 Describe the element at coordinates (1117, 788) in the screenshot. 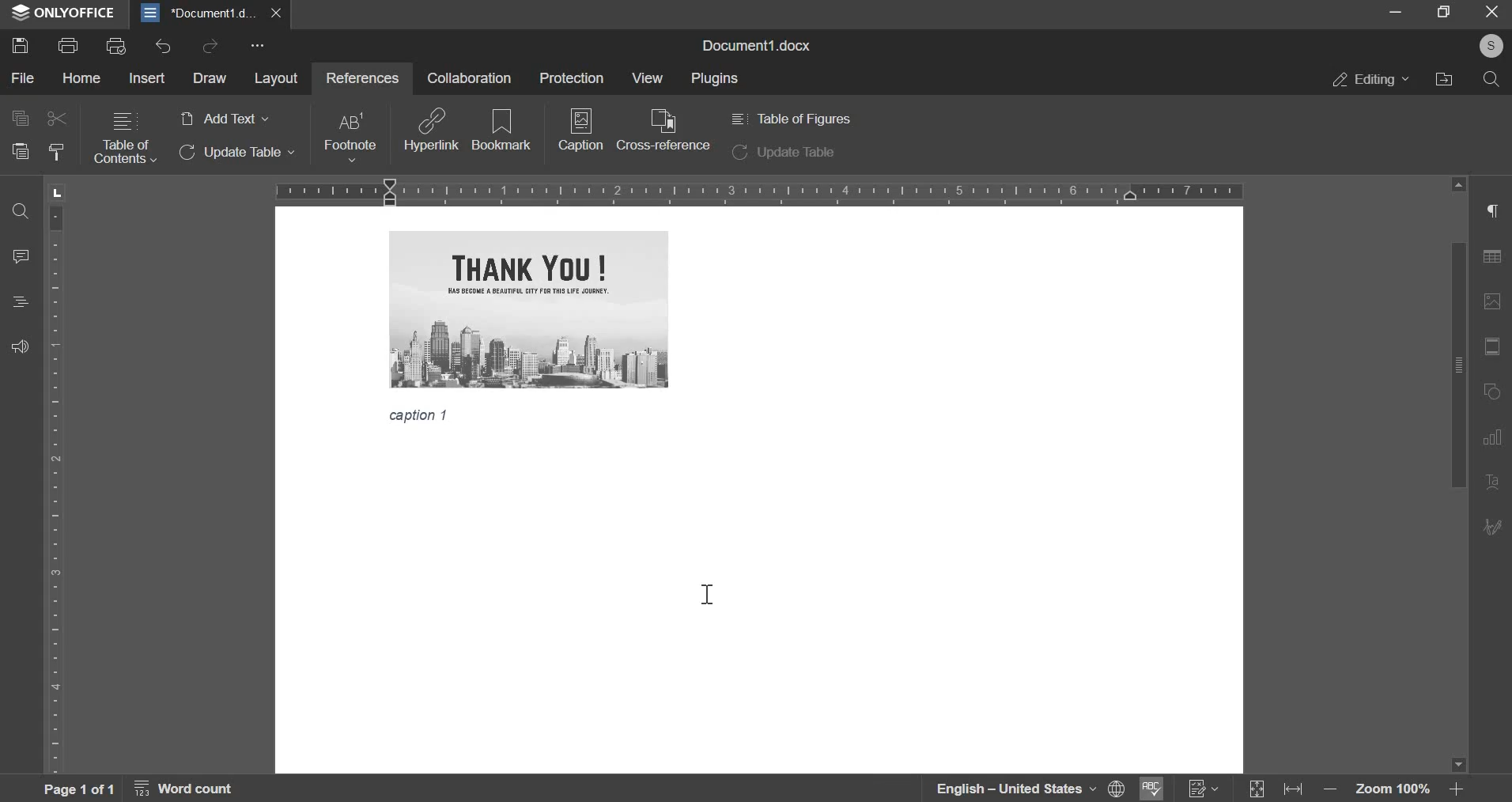

I see `Set Document Language` at that location.